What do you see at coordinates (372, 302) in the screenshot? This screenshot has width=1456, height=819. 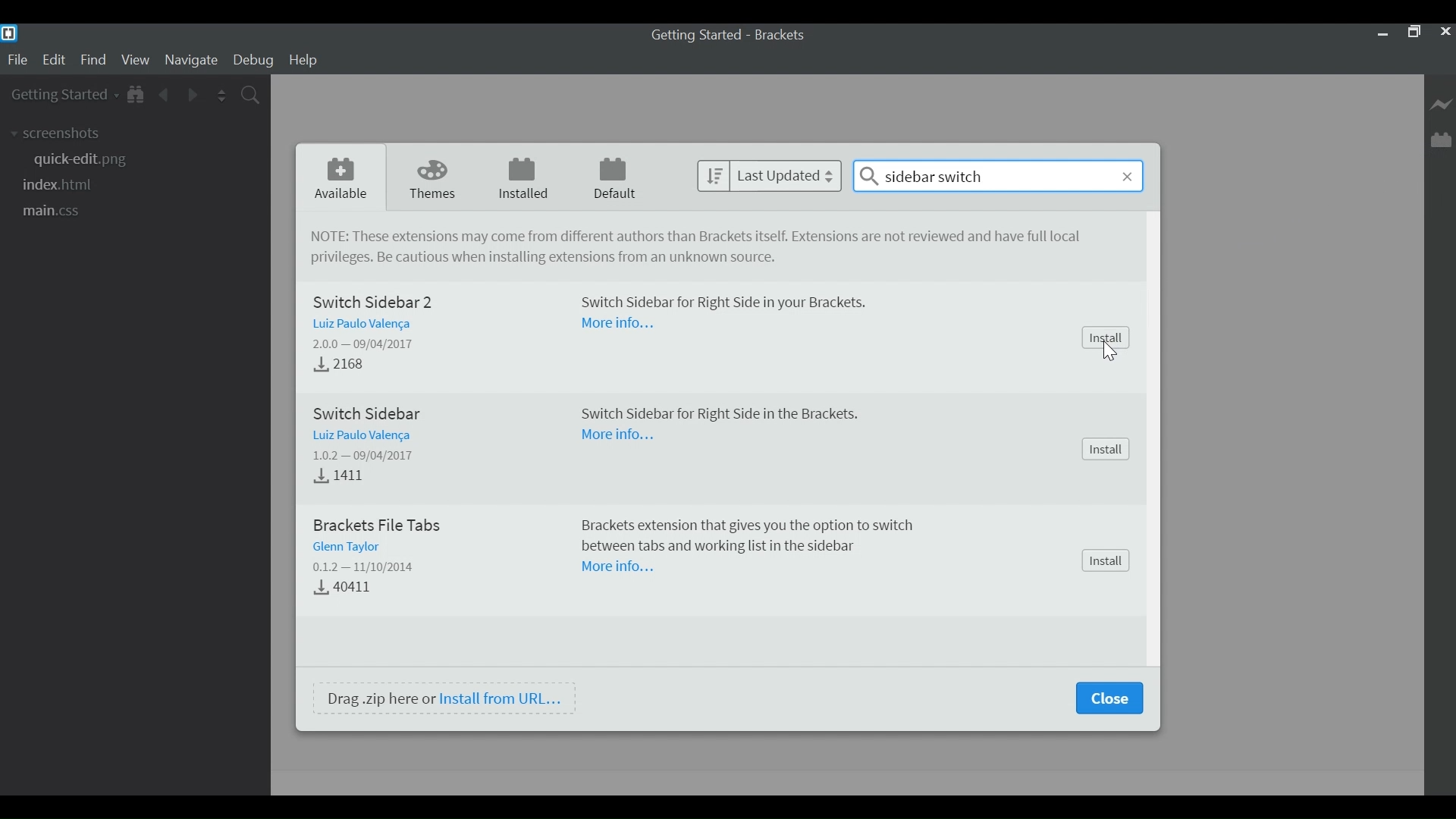 I see `Switch Sidebar 2` at bounding box center [372, 302].